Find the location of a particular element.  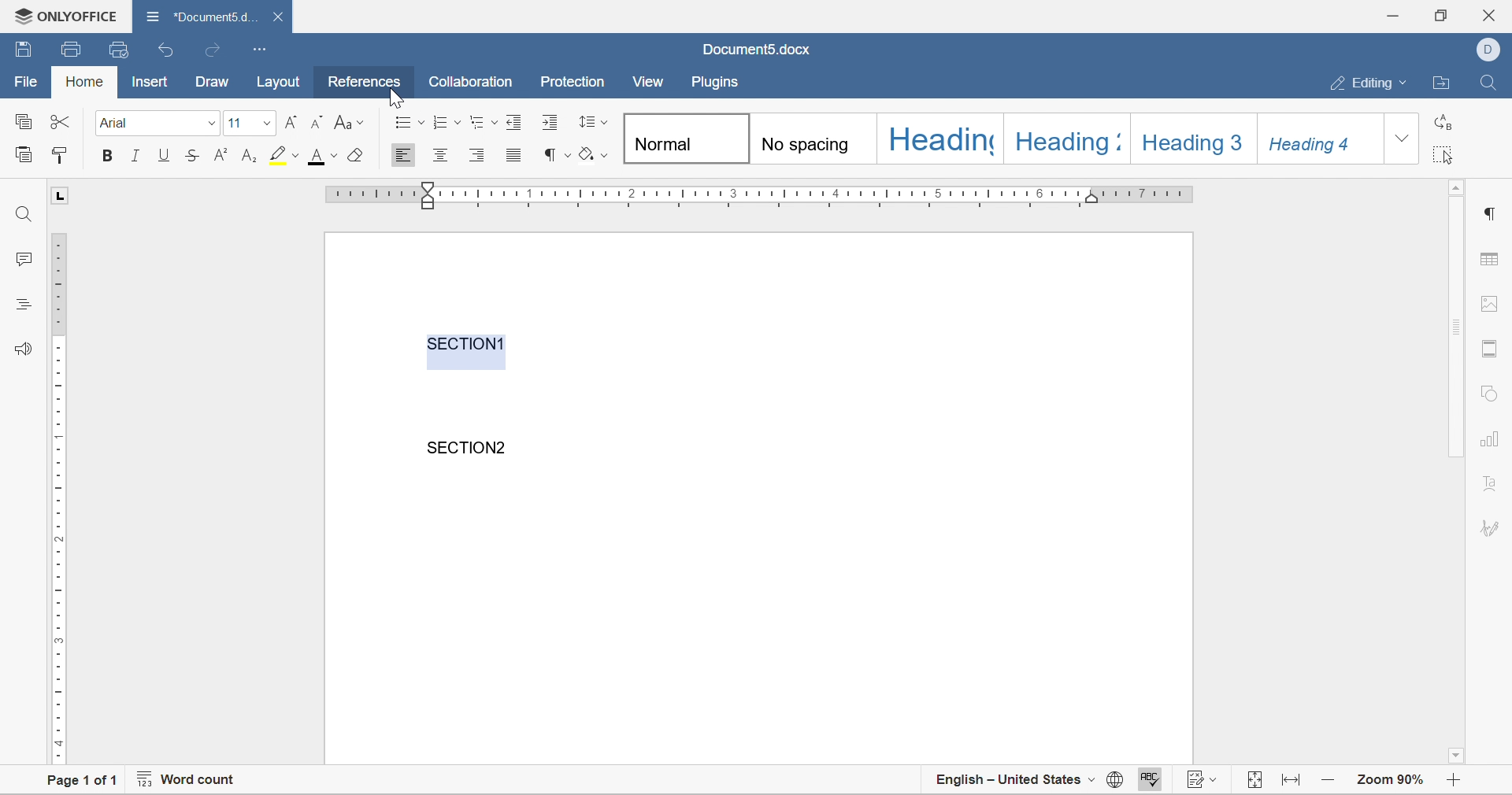

Decrease indent is located at coordinates (517, 120).